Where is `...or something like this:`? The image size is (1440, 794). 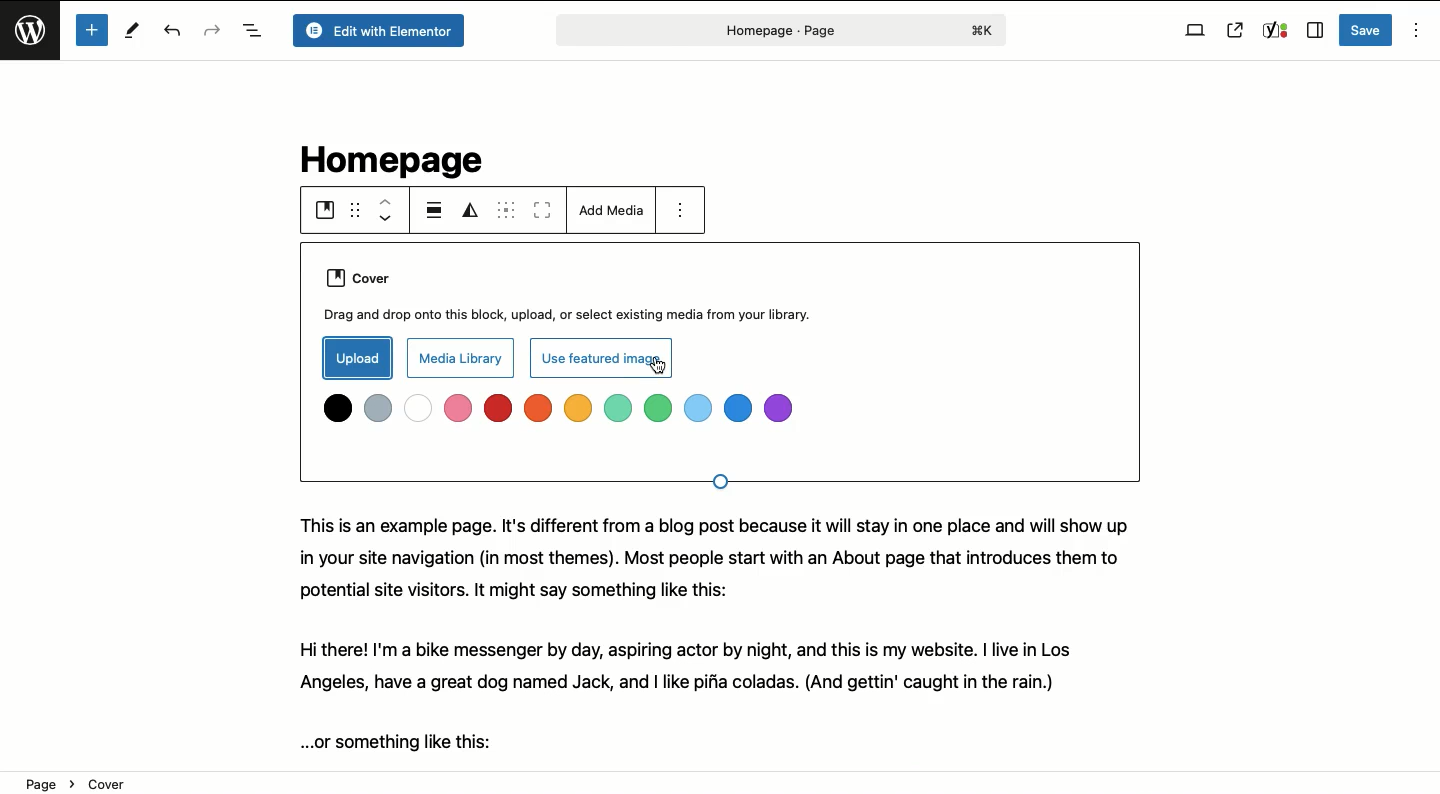 ...or something like this: is located at coordinates (381, 741).